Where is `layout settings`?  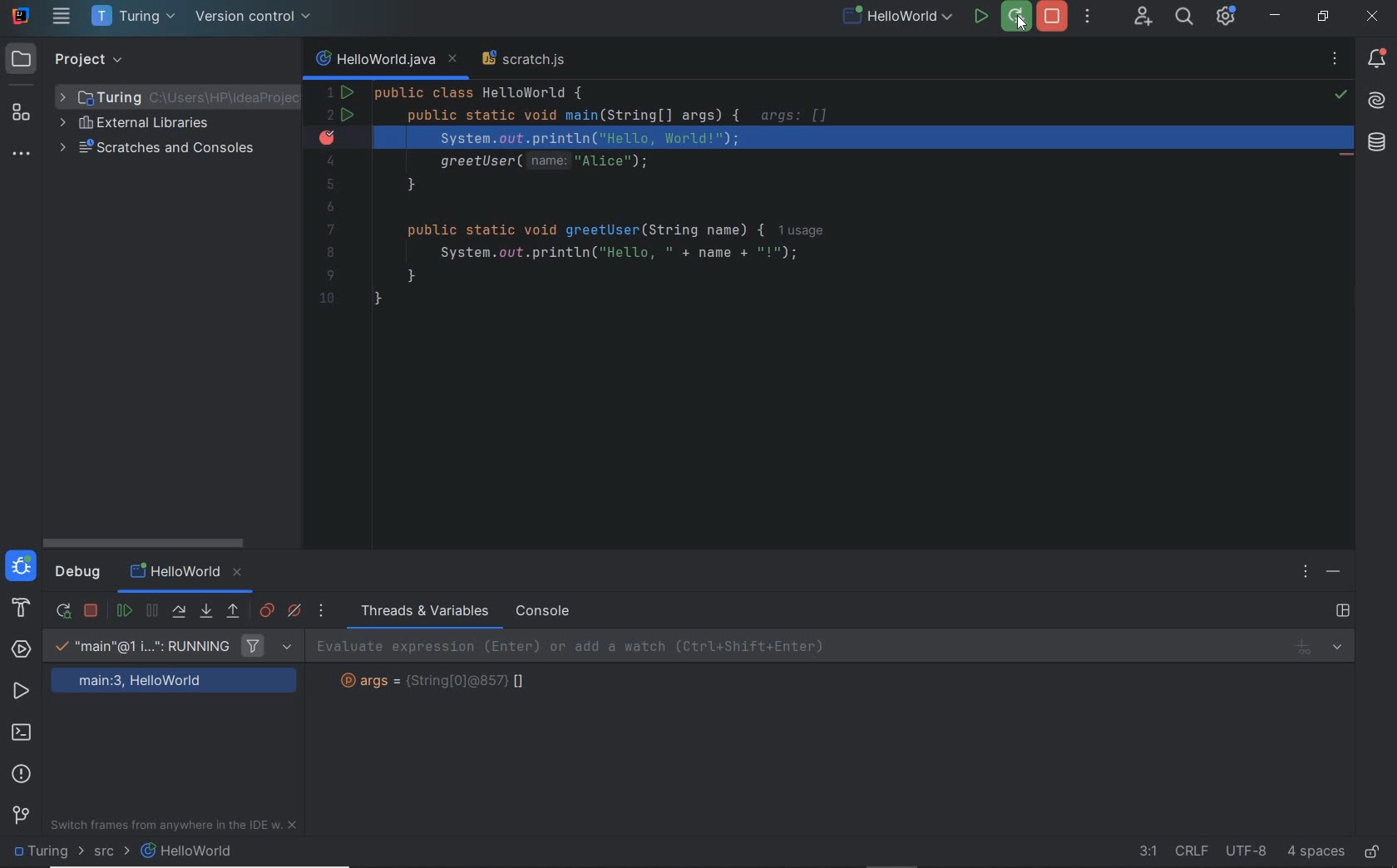
layout settings is located at coordinates (1345, 610).